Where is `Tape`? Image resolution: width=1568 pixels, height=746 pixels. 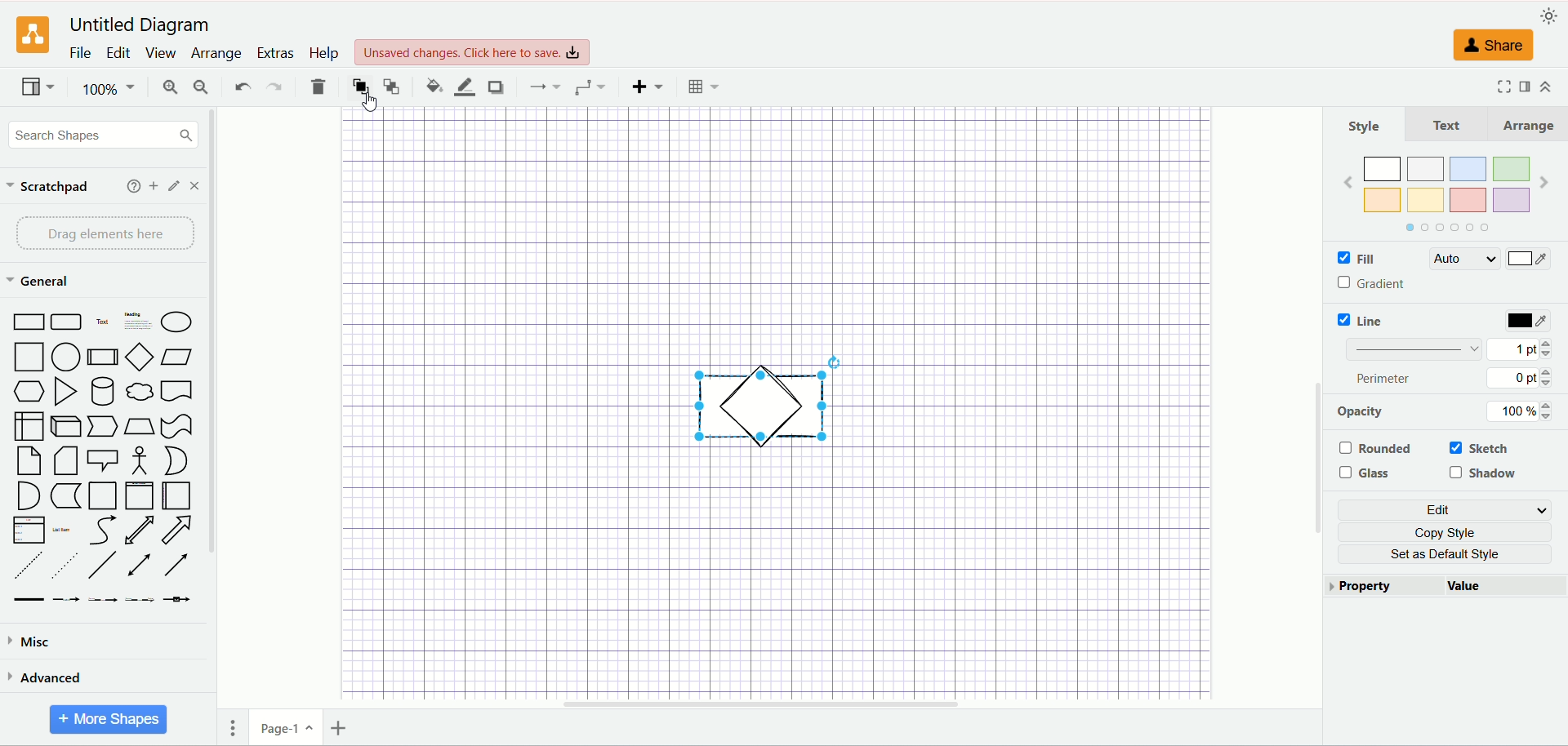 Tape is located at coordinates (178, 426).